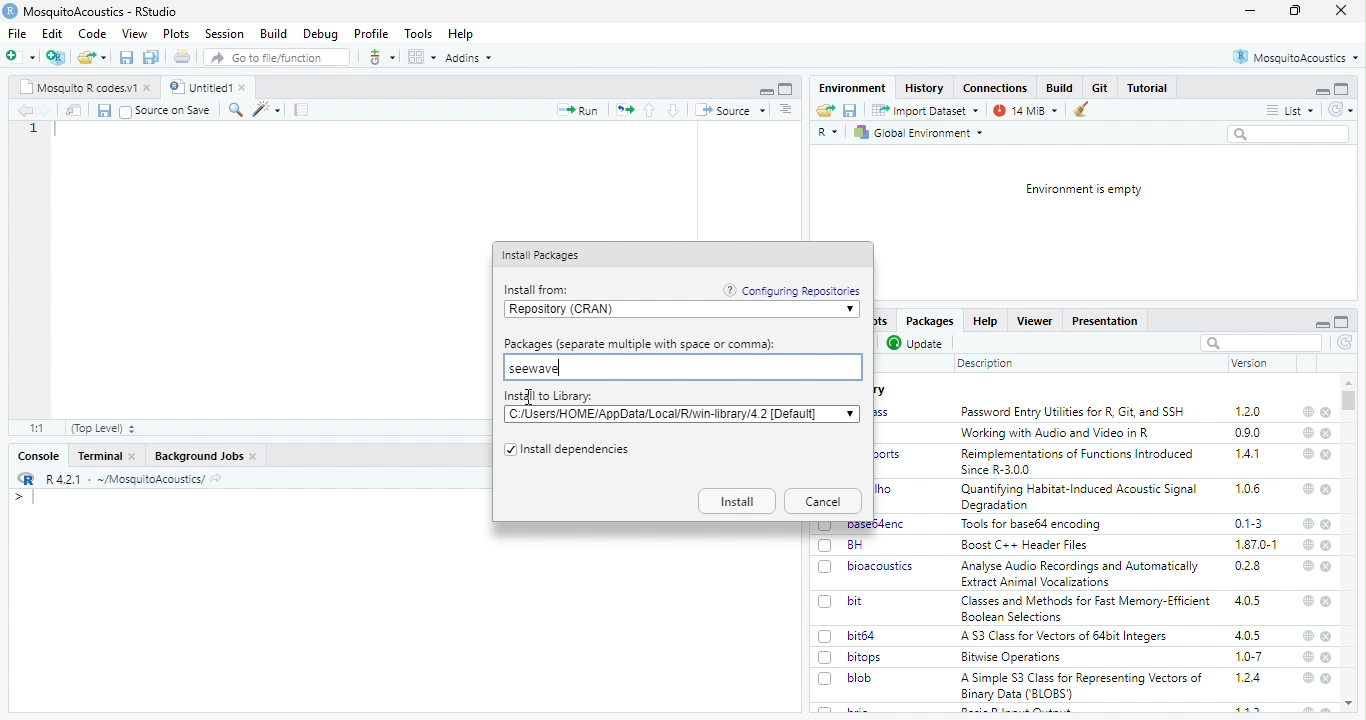  What do you see at coordinates (1310, 657) in the screenshot?
I see `web` at bounding box center [1310, 657].